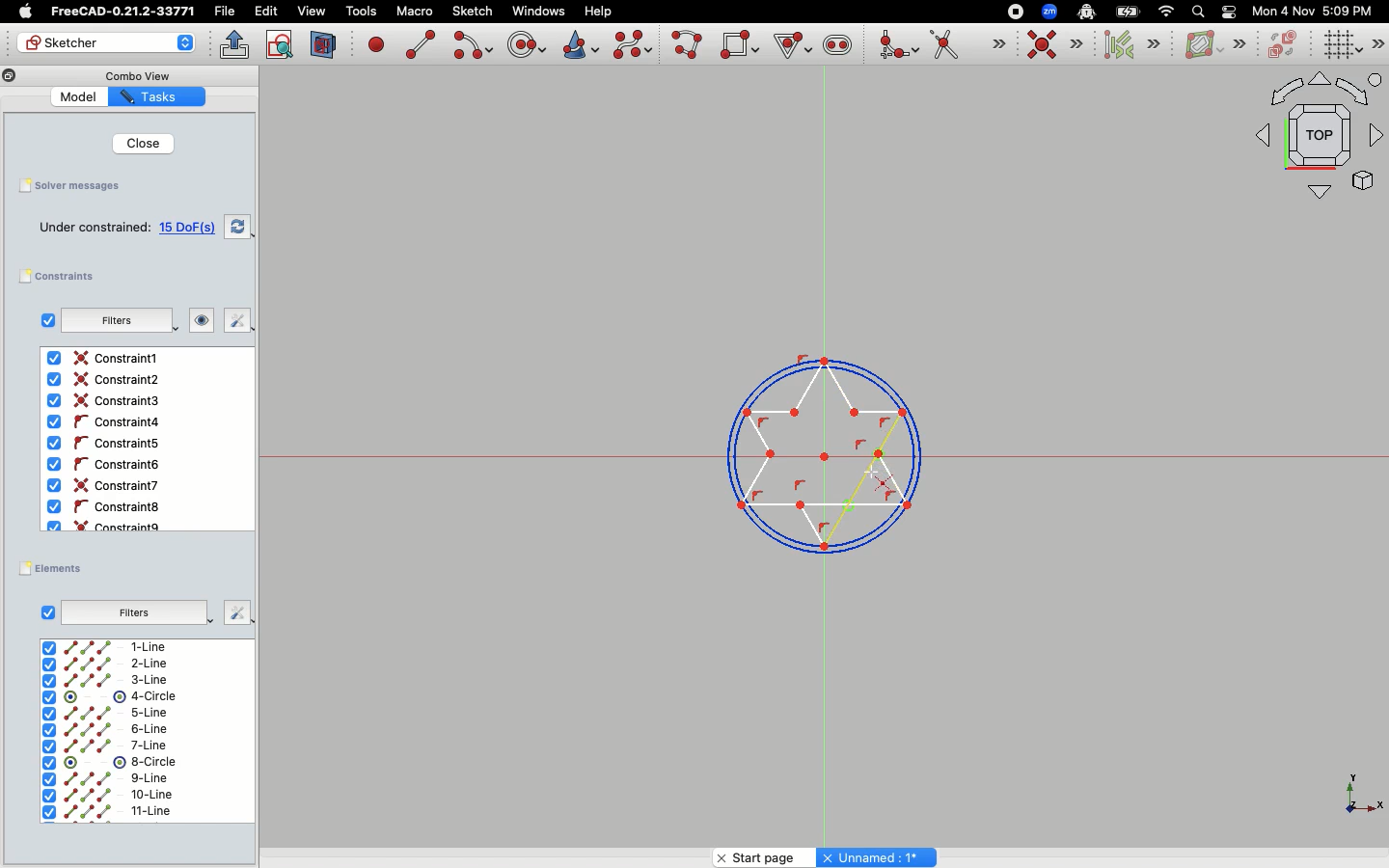  What do you see at coordinates (95, 43) in the screenshot?
I see `Sketcher` at bounding box center [95, 43].